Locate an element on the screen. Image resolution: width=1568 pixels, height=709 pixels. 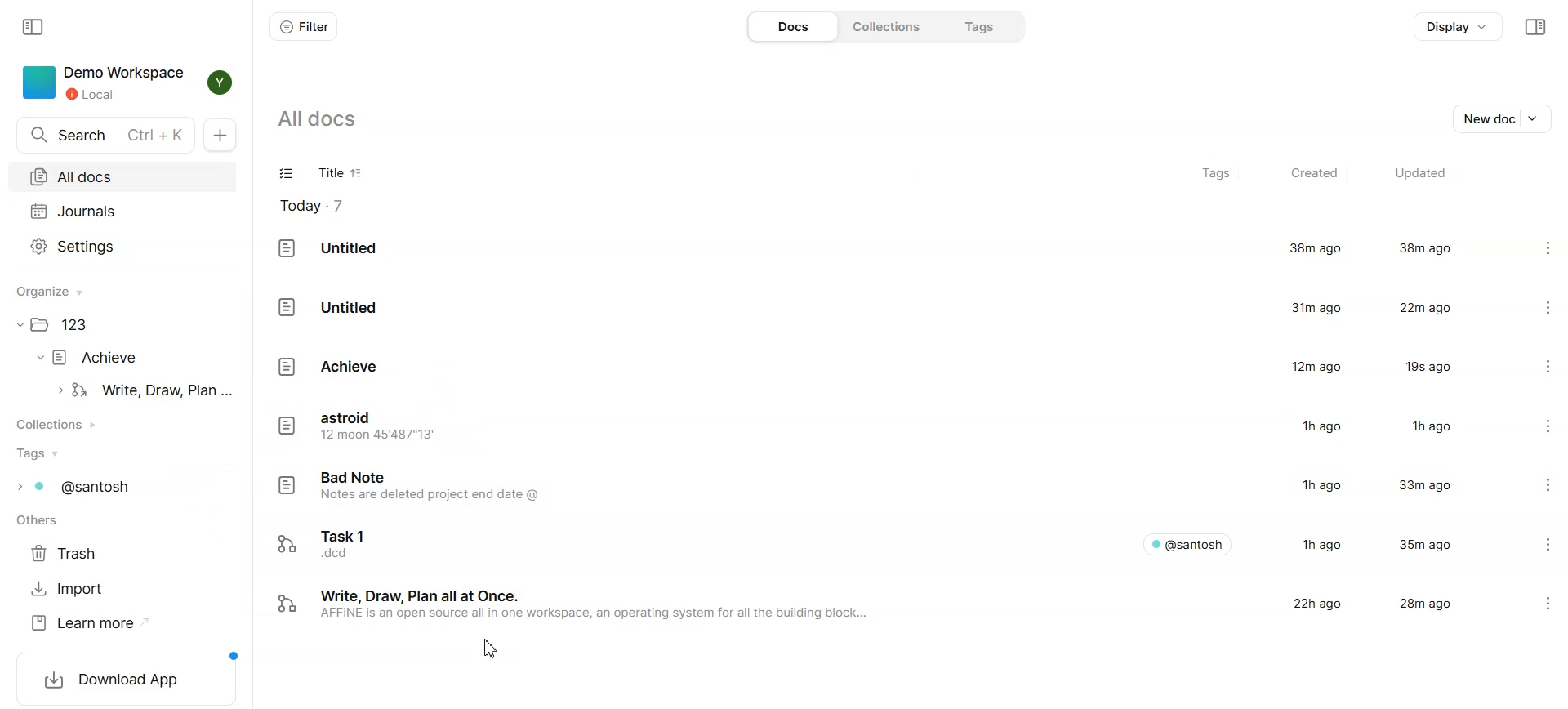
Doc File is located at coordinates (879, 305).